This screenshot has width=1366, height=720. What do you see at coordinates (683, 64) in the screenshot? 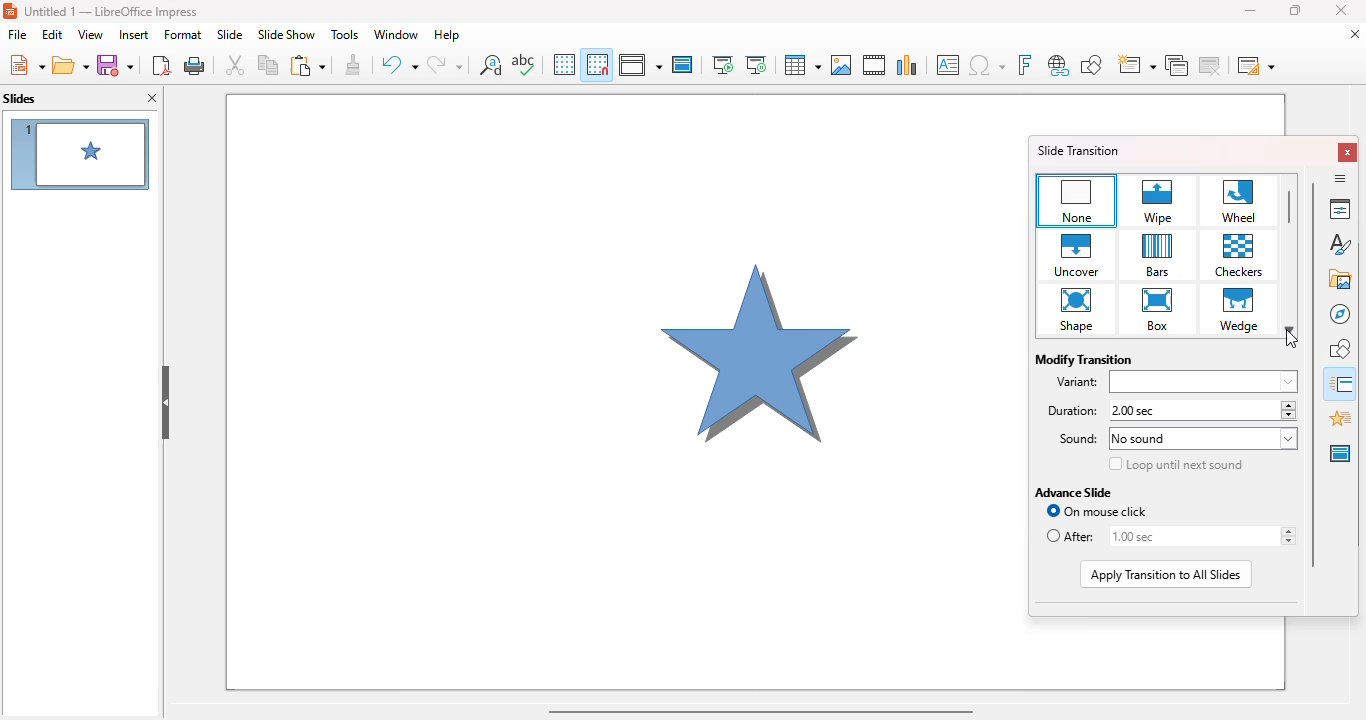
I see `master slide` at bounding box center [683, 64].